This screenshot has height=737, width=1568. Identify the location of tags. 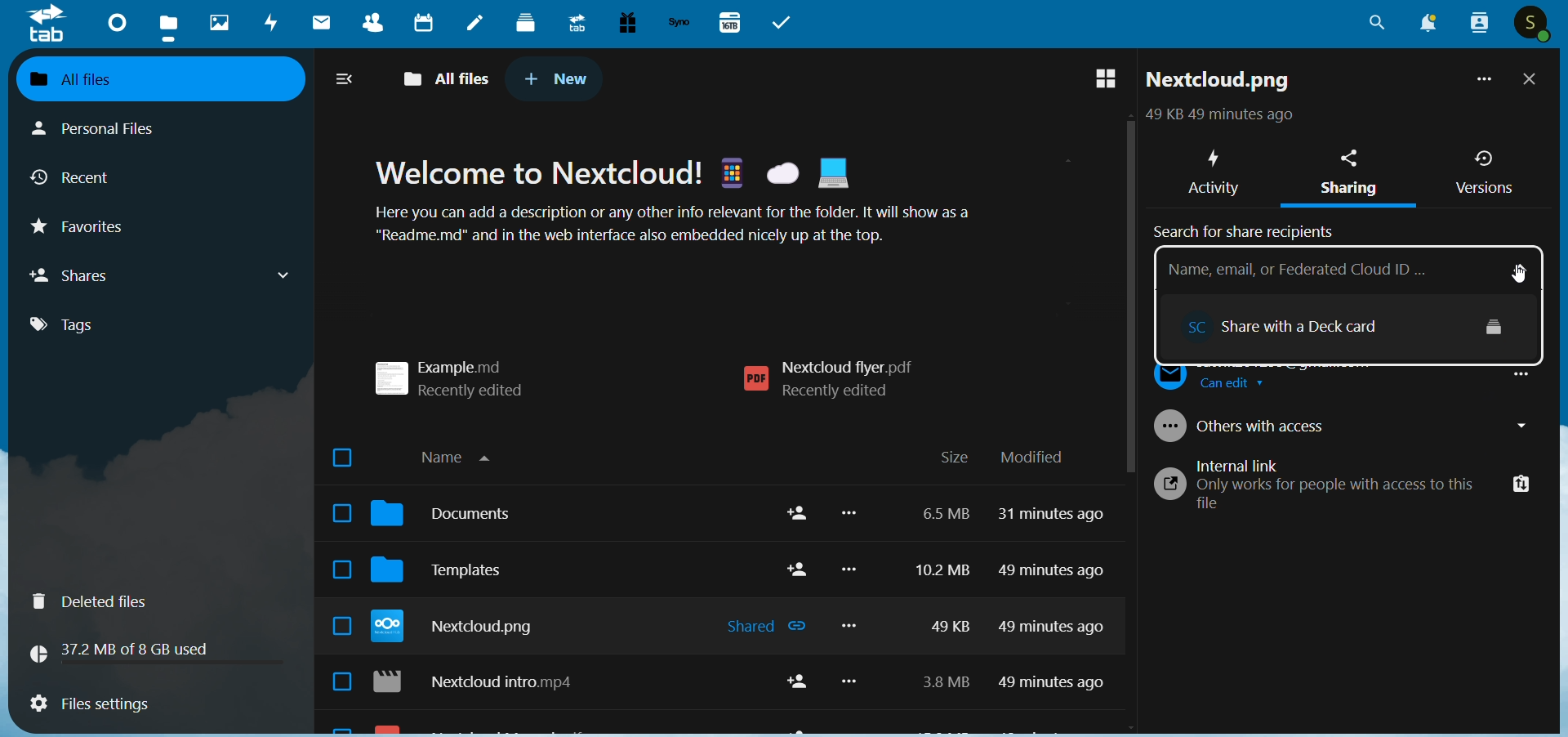
(77, 325).